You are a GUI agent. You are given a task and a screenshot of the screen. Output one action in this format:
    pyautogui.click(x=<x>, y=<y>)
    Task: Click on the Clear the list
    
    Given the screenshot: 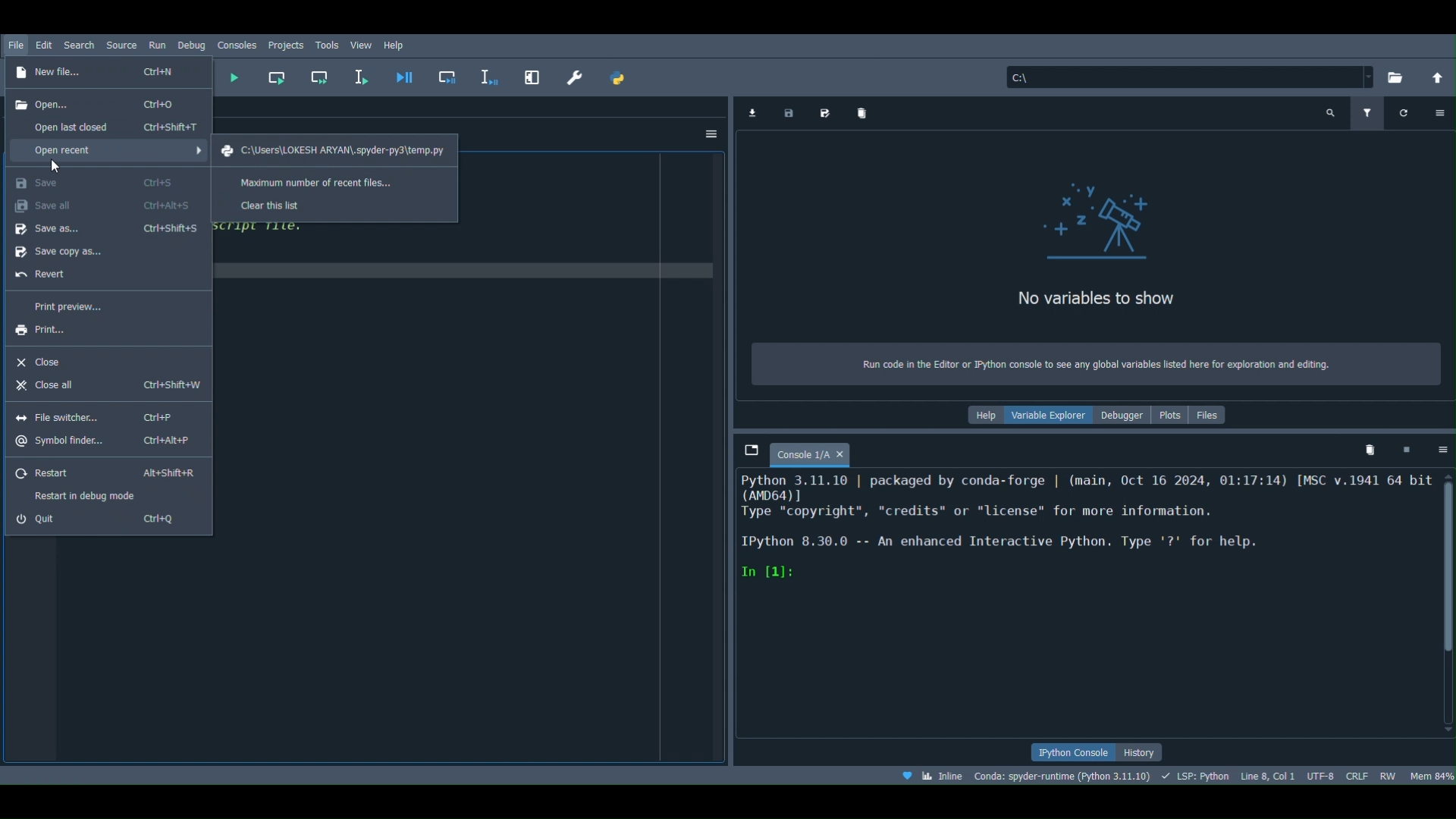 What is the action you would take?
    pyautogui.click(x=272, y=205)
    